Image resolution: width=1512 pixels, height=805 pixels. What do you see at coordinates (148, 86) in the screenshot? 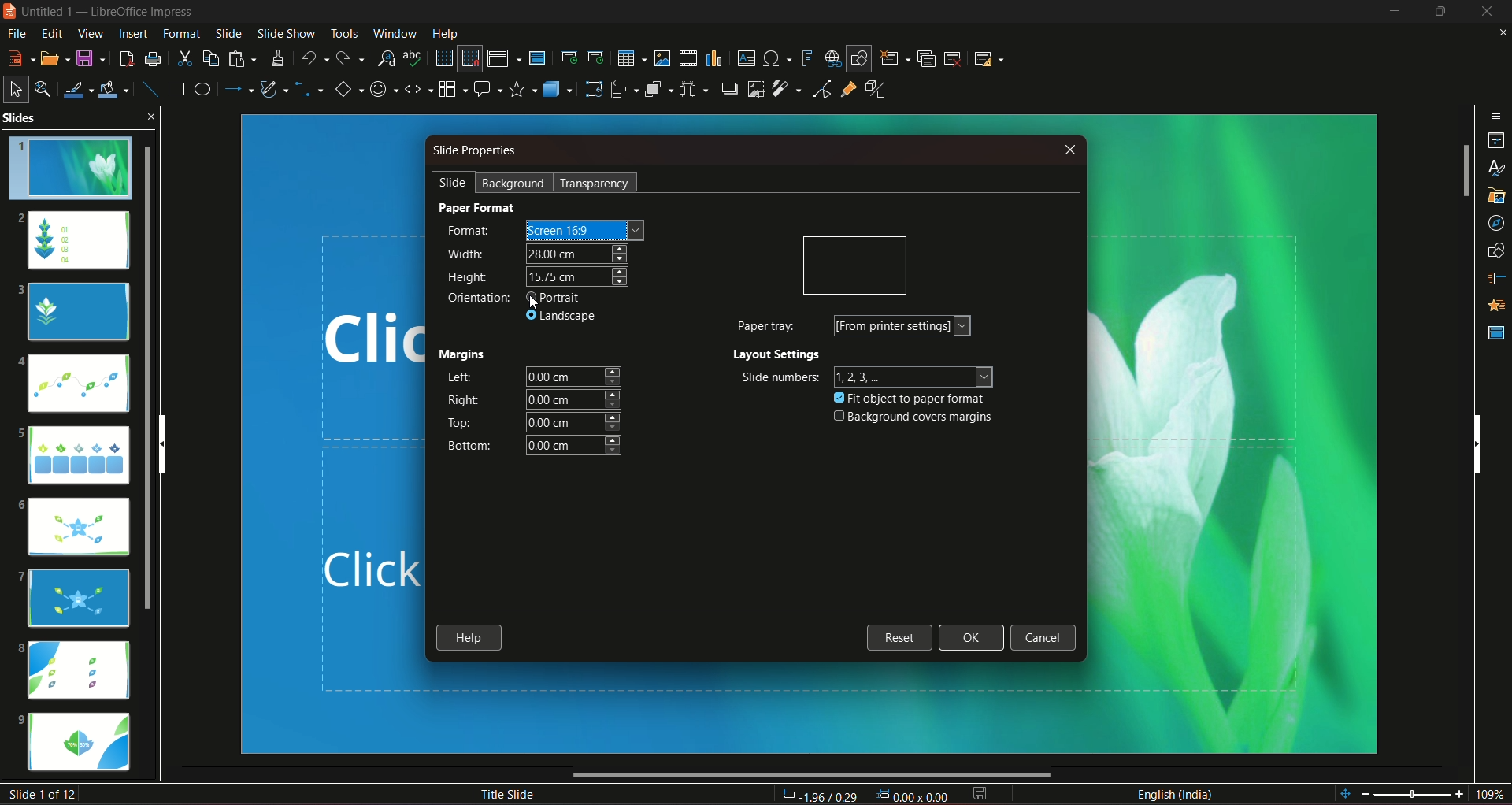
I see `insert line` at bounding box center [148, 86].